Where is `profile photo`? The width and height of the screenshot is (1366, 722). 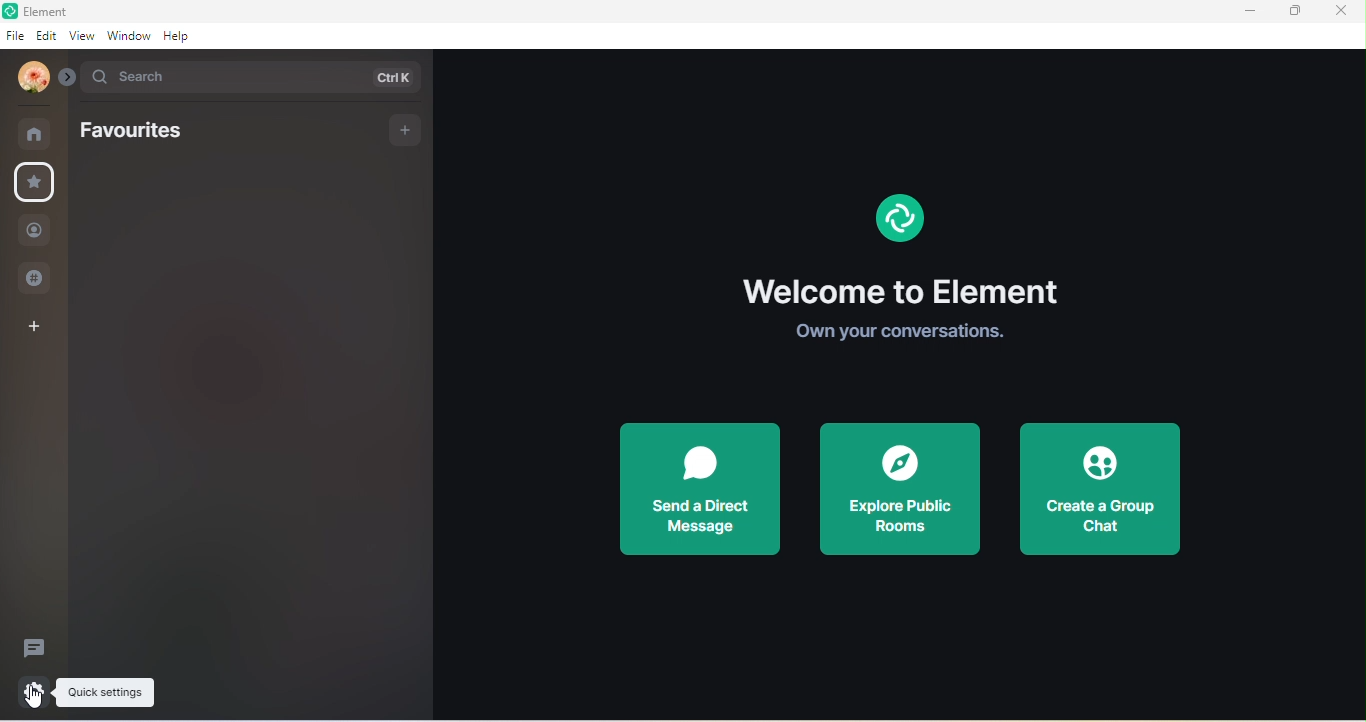
profile photo is located at coordinates (35, 75).